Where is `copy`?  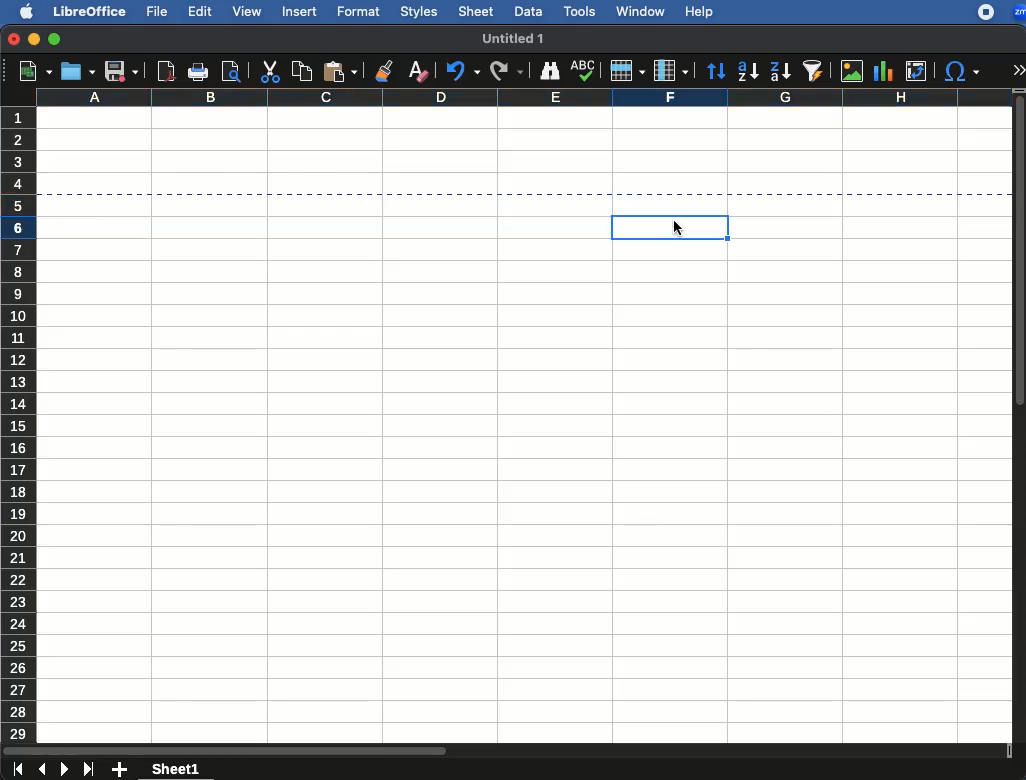 copy is located at coordinates (299, 72).